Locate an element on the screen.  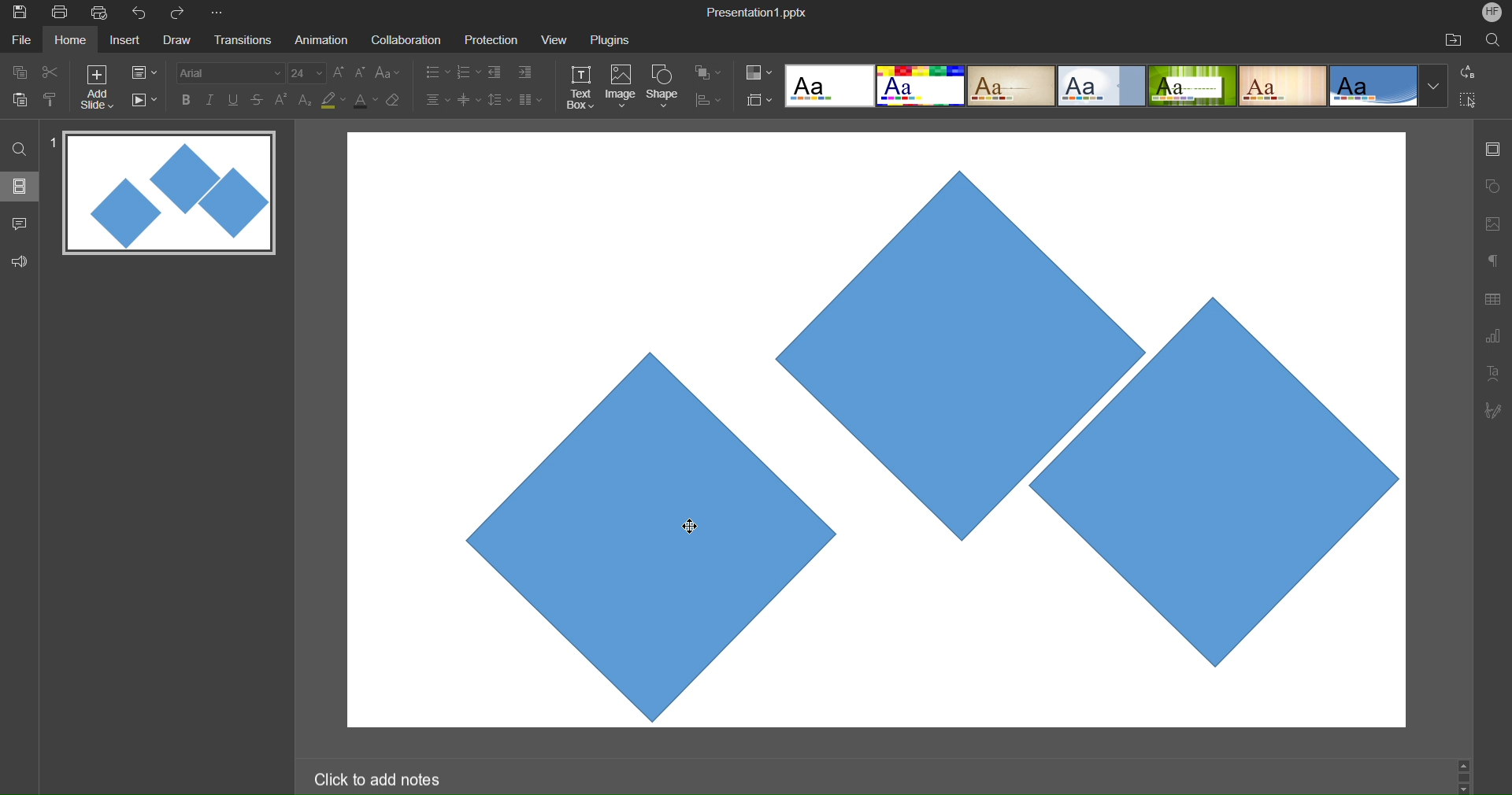
Color is located at coordinates (759, 72).